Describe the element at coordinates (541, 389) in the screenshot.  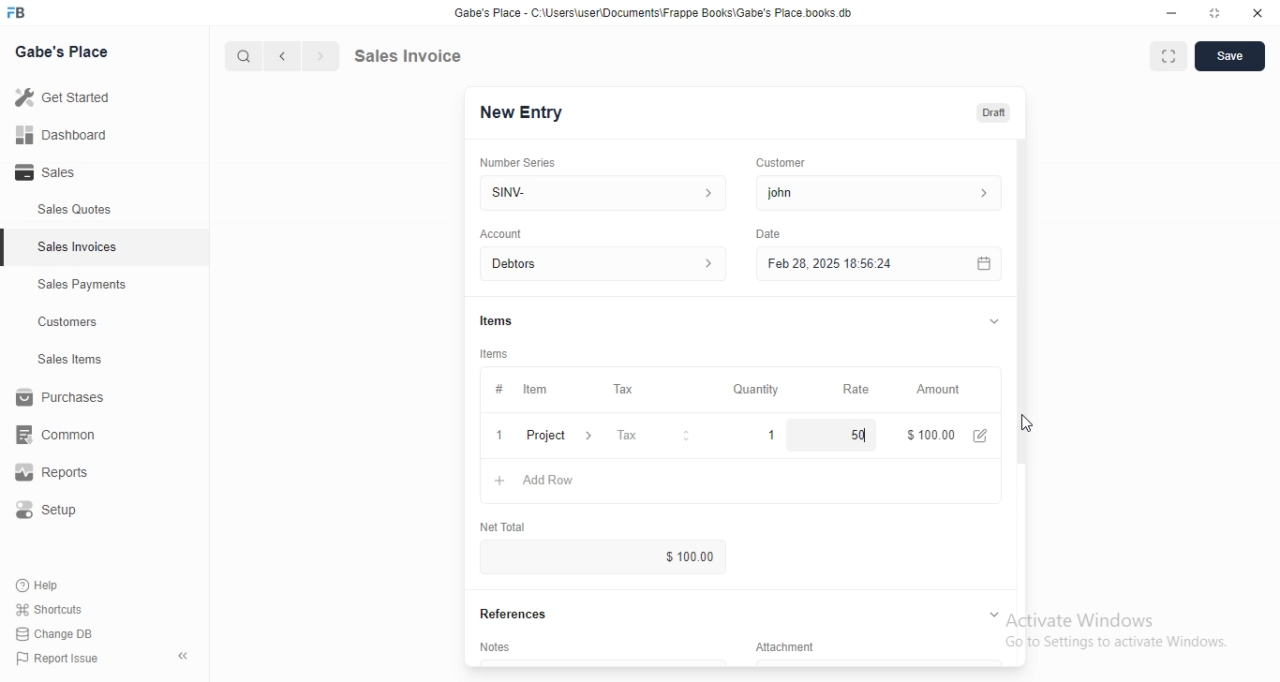
I see `tem` at that location.